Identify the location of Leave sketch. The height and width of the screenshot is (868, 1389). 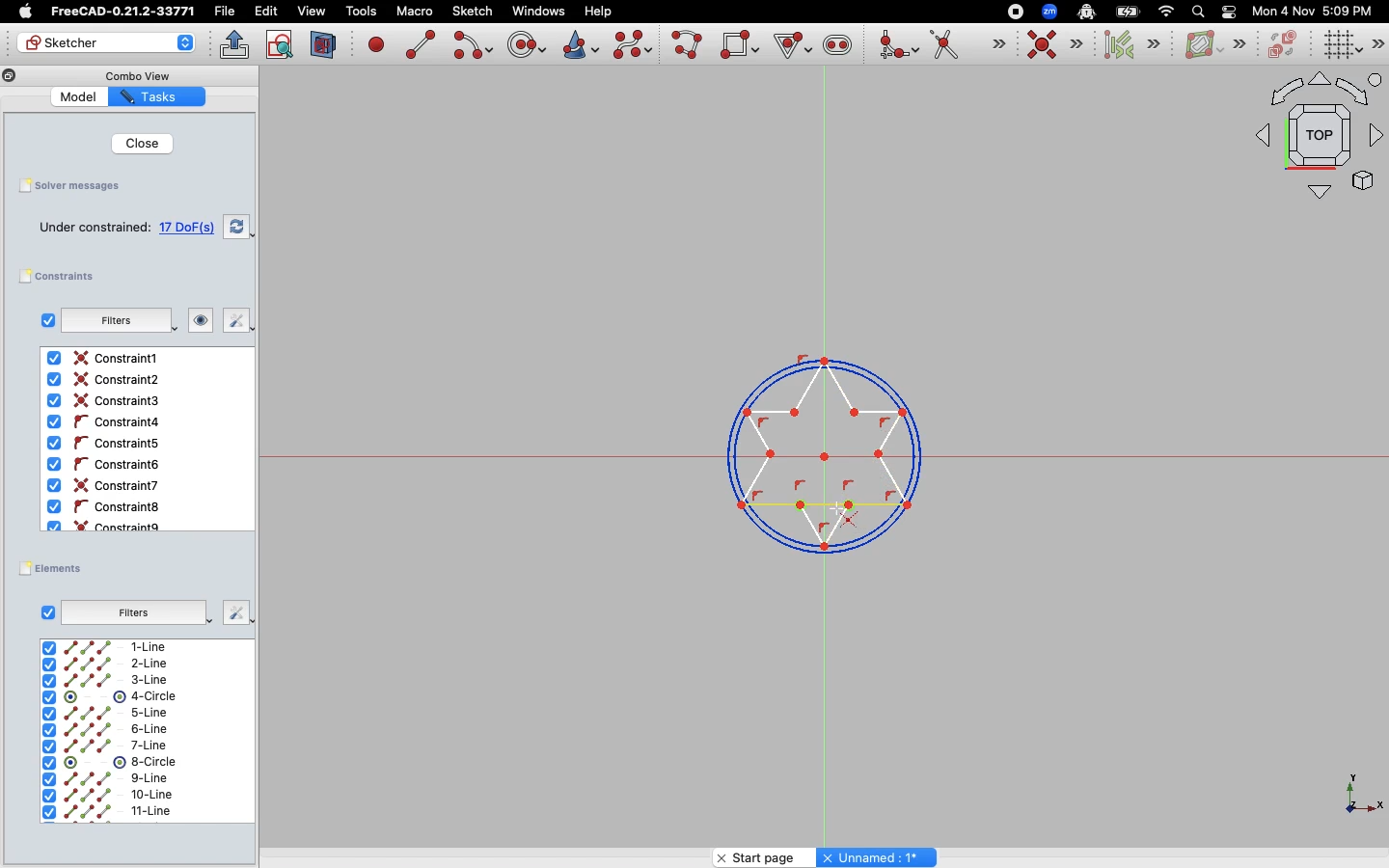
(235, 44).